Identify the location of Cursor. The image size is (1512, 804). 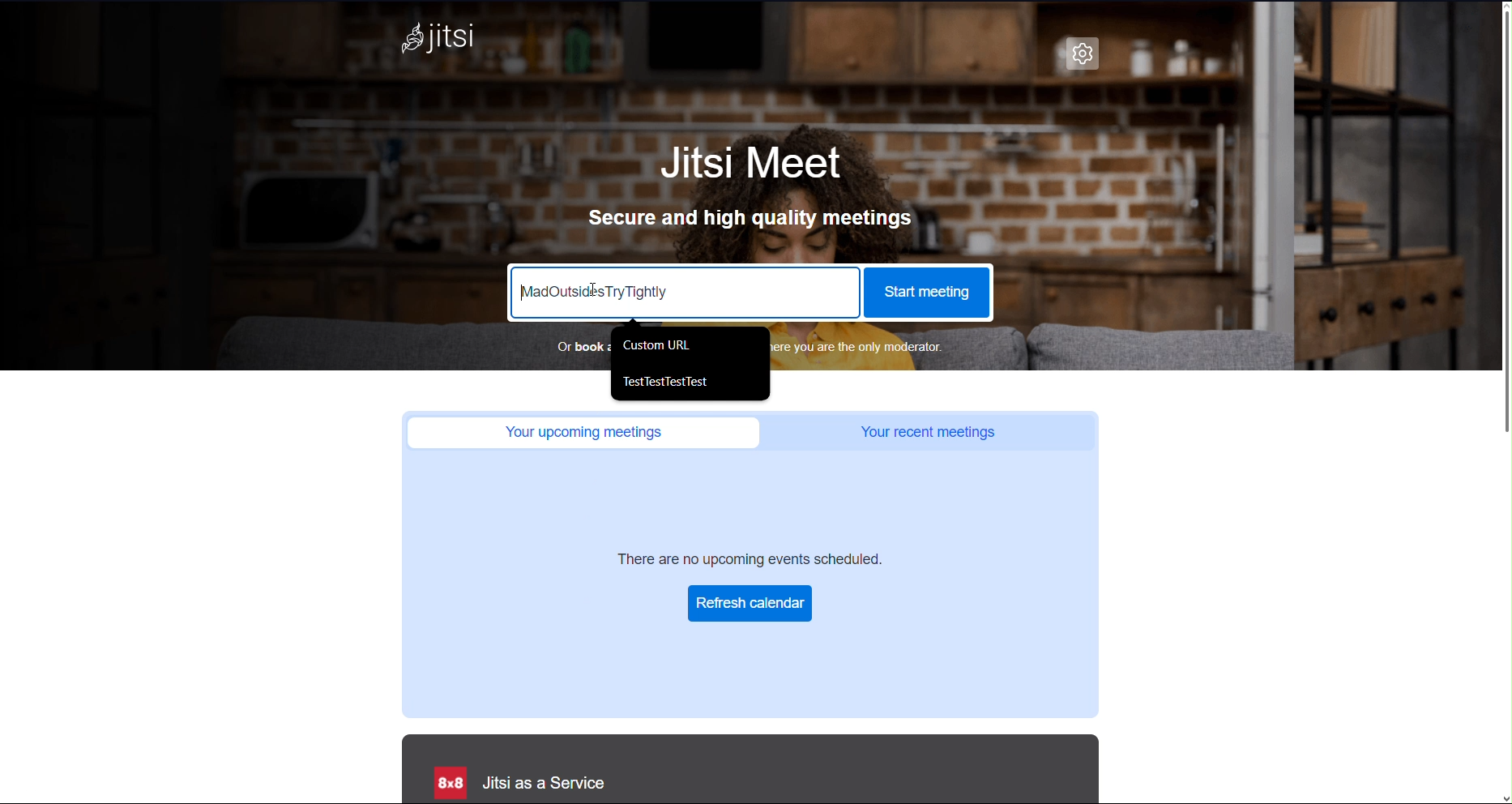
(590, 290).